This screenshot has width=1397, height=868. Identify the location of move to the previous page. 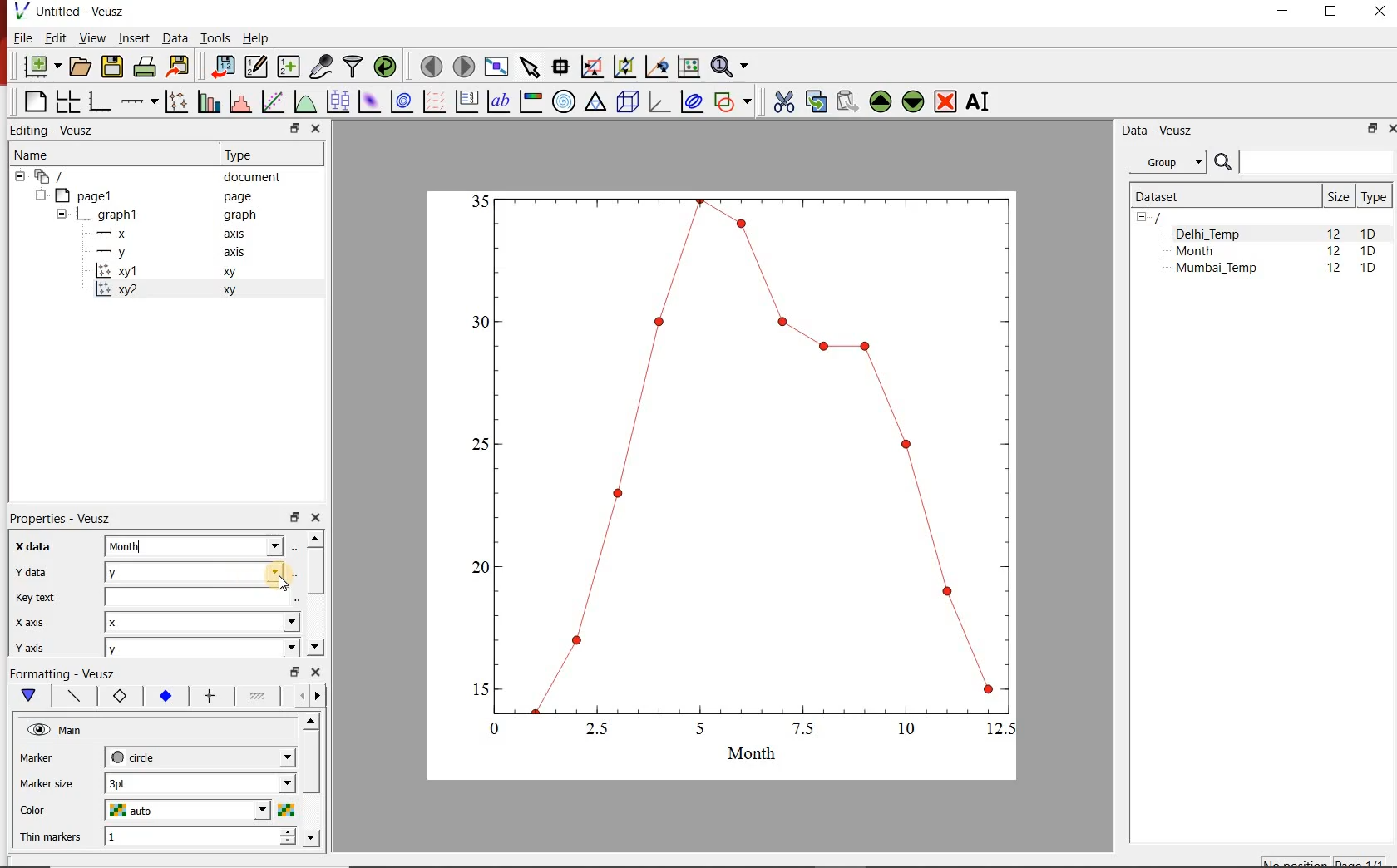
(431, 66).